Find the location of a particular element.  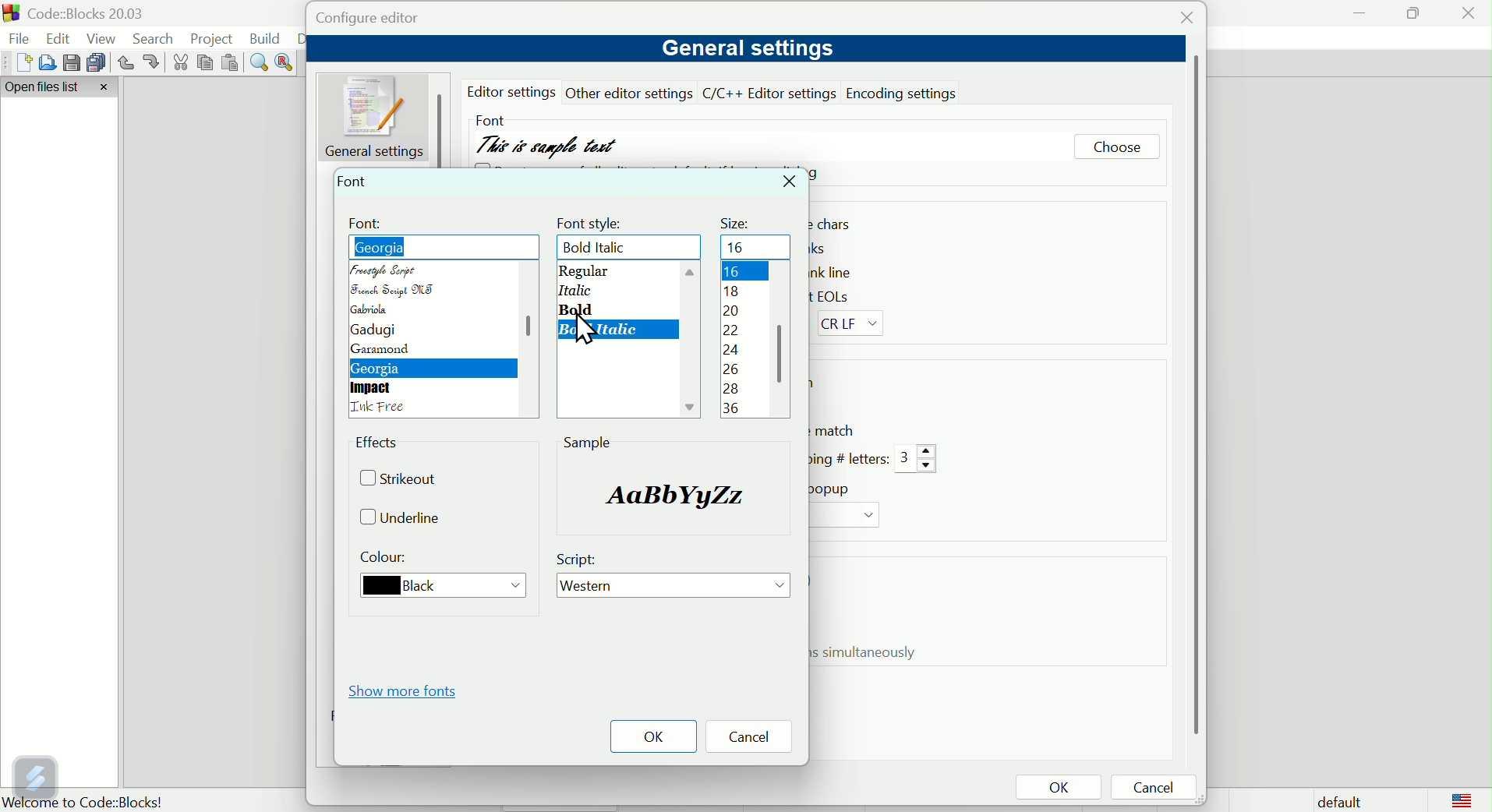

18 is located at coordinates (736, 291).